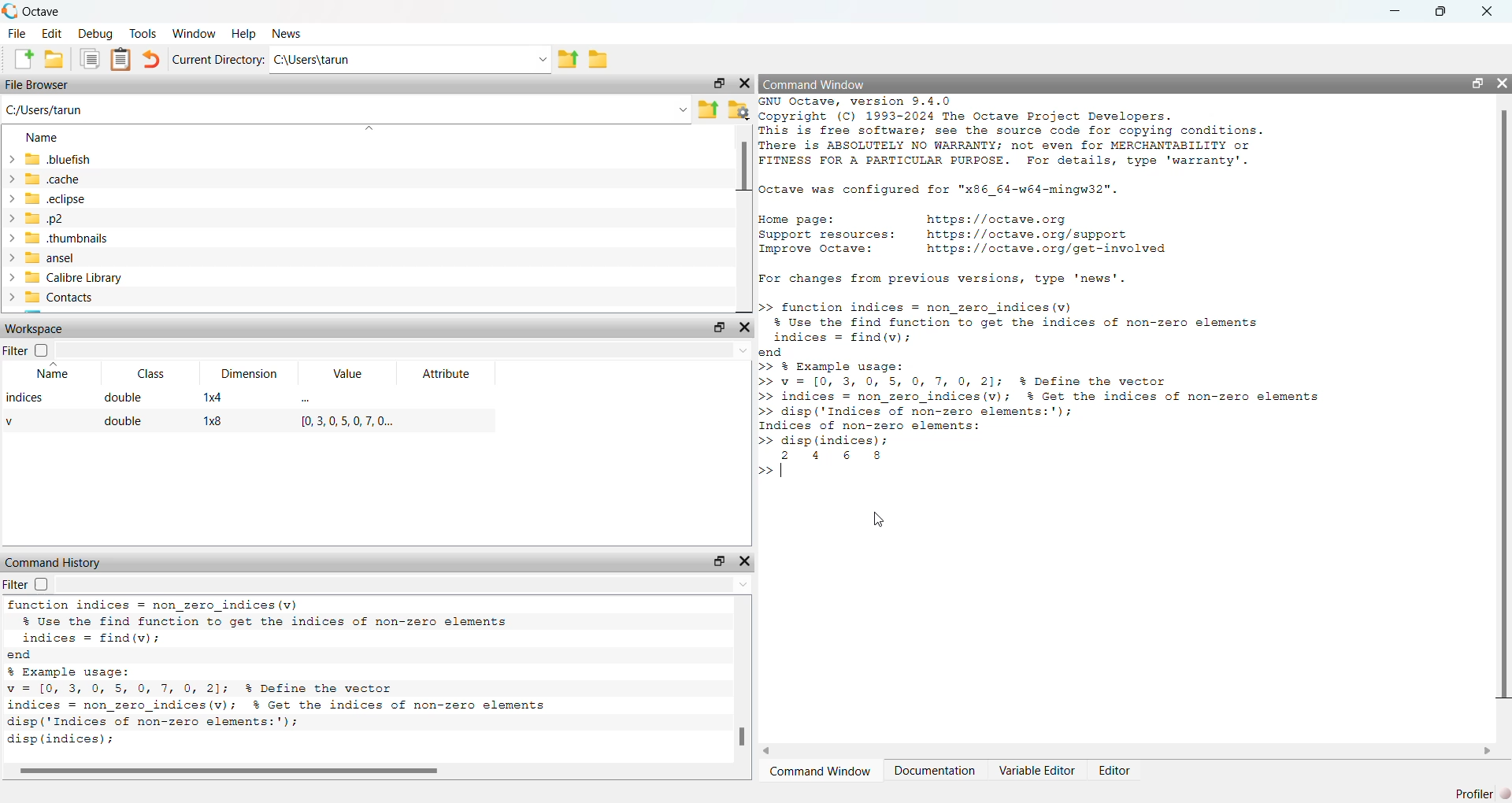  Describe the element at coordinates (776, 472) in the screenshot. I see `typing cursor` at that location.